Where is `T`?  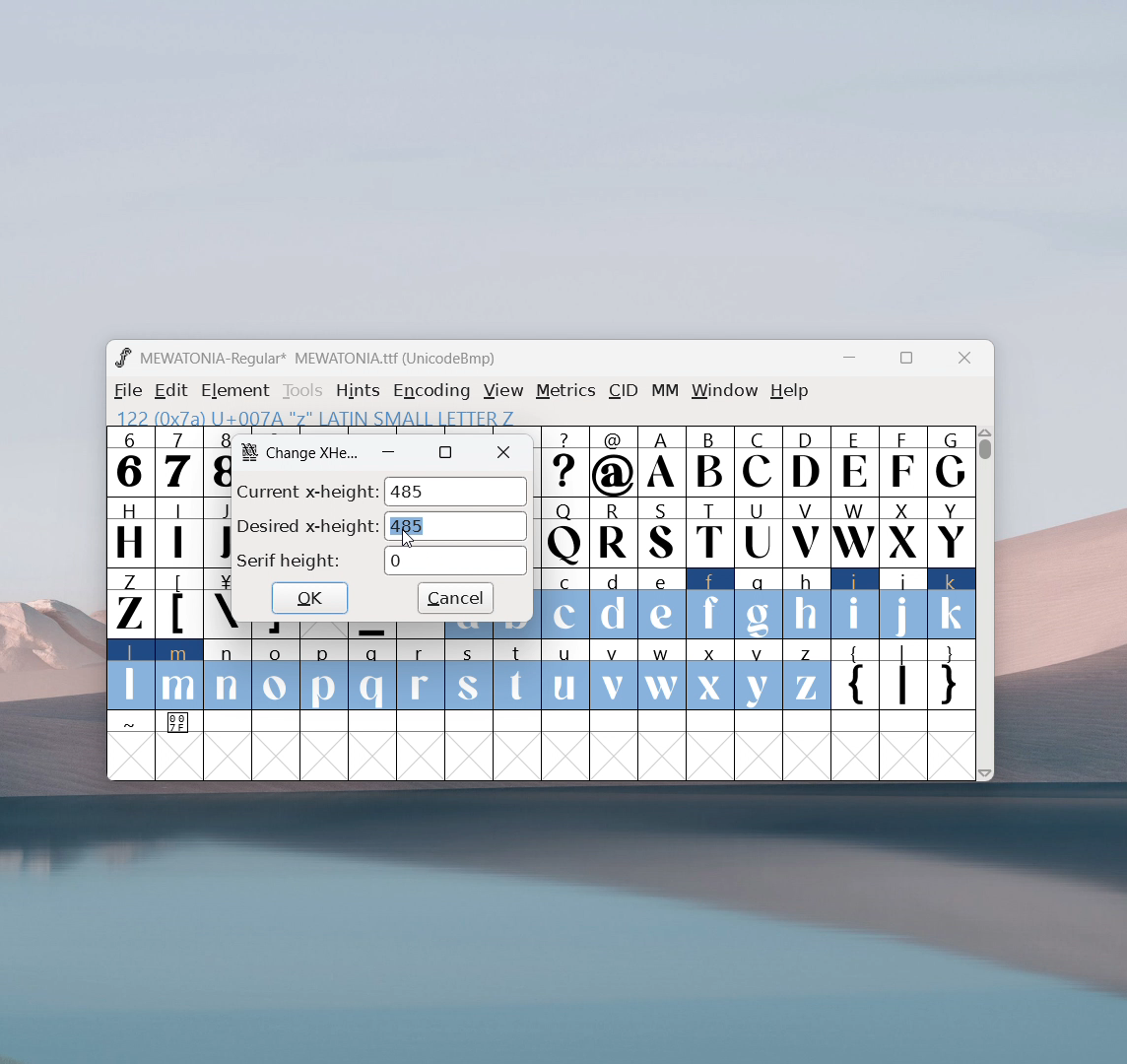
T is located at coordinates (711, 533).